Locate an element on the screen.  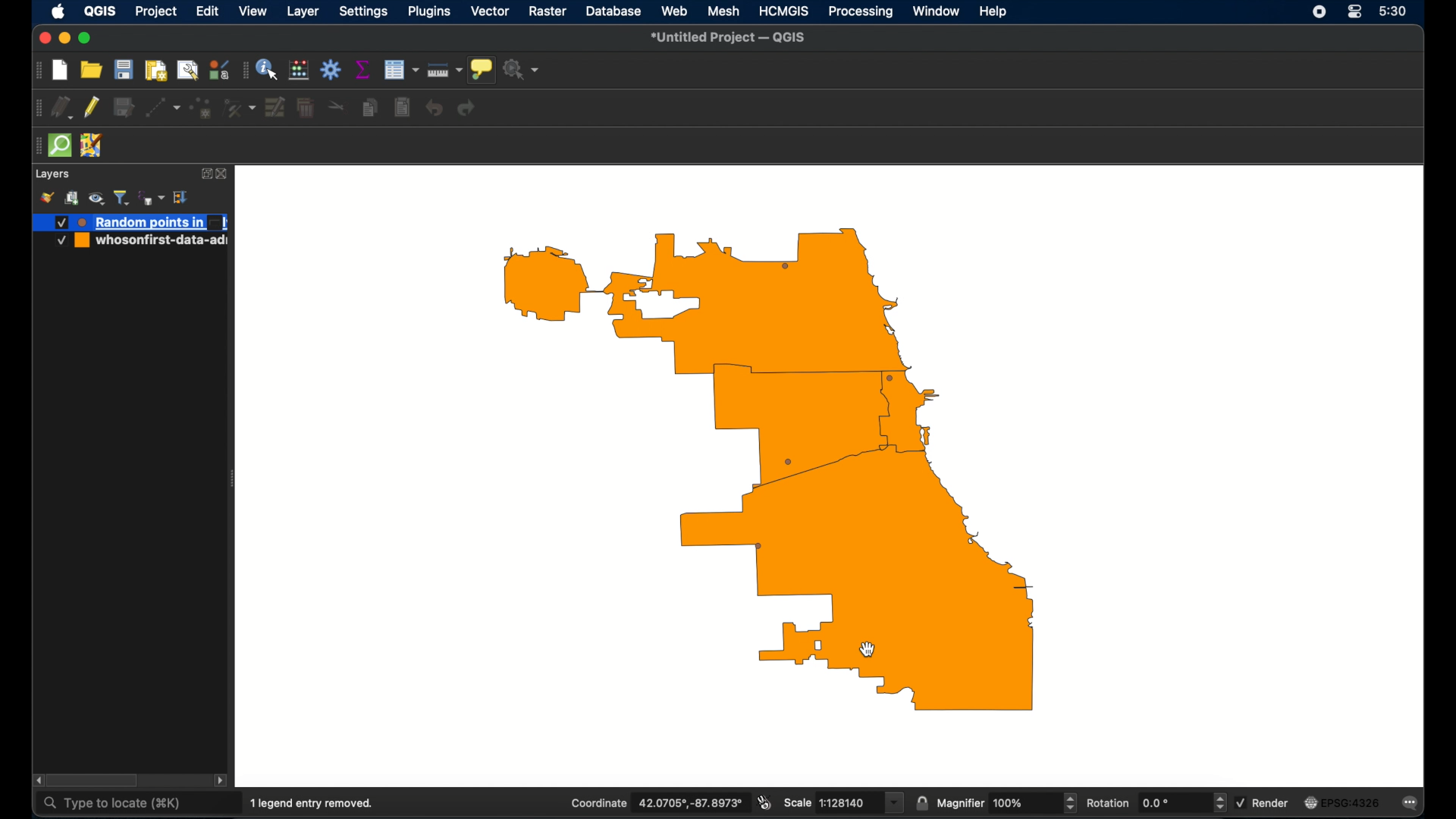
help is located at coordinates (993, 12).